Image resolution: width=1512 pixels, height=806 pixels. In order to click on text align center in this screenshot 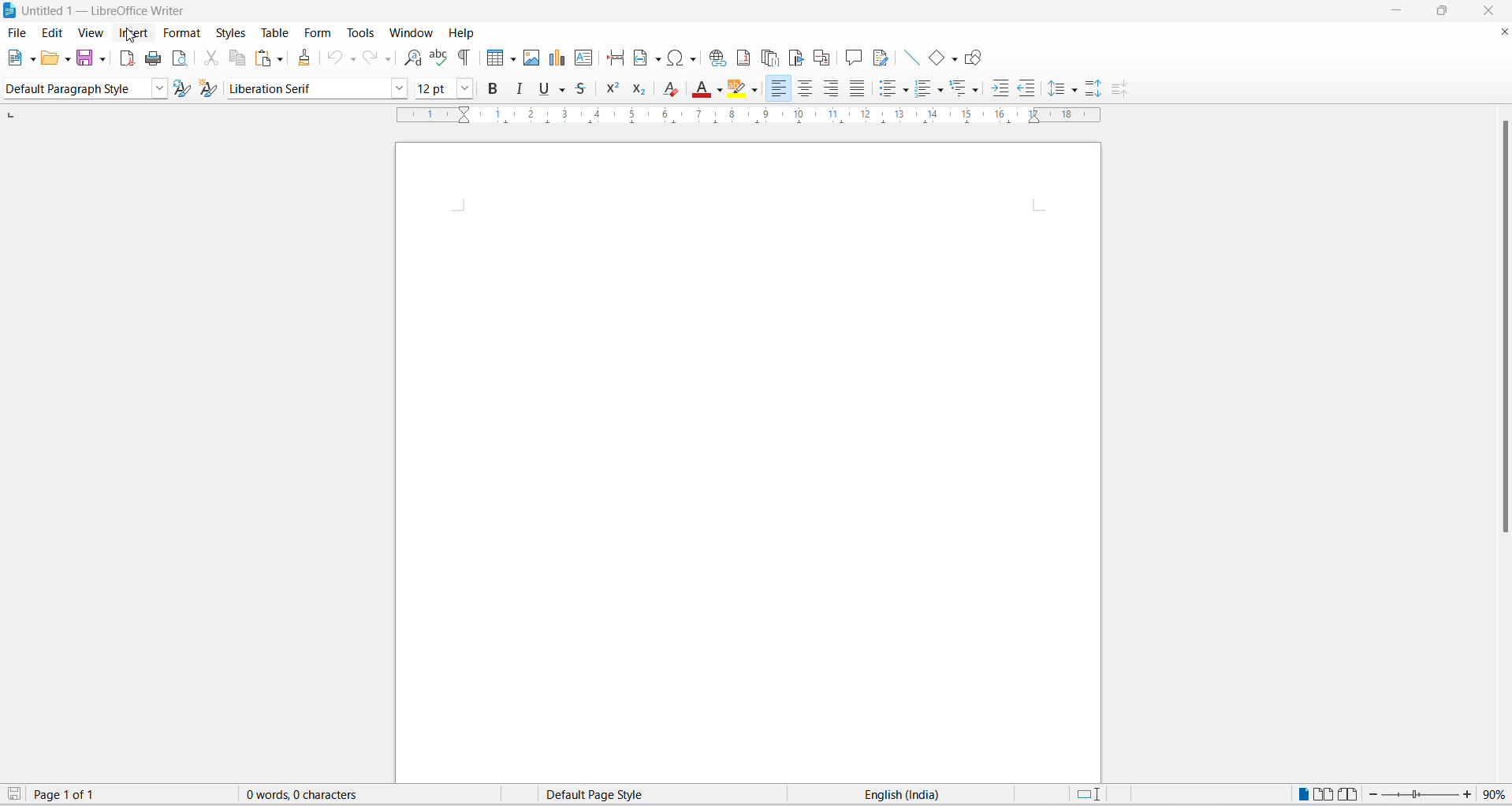, I will do `click(809, 90)`.